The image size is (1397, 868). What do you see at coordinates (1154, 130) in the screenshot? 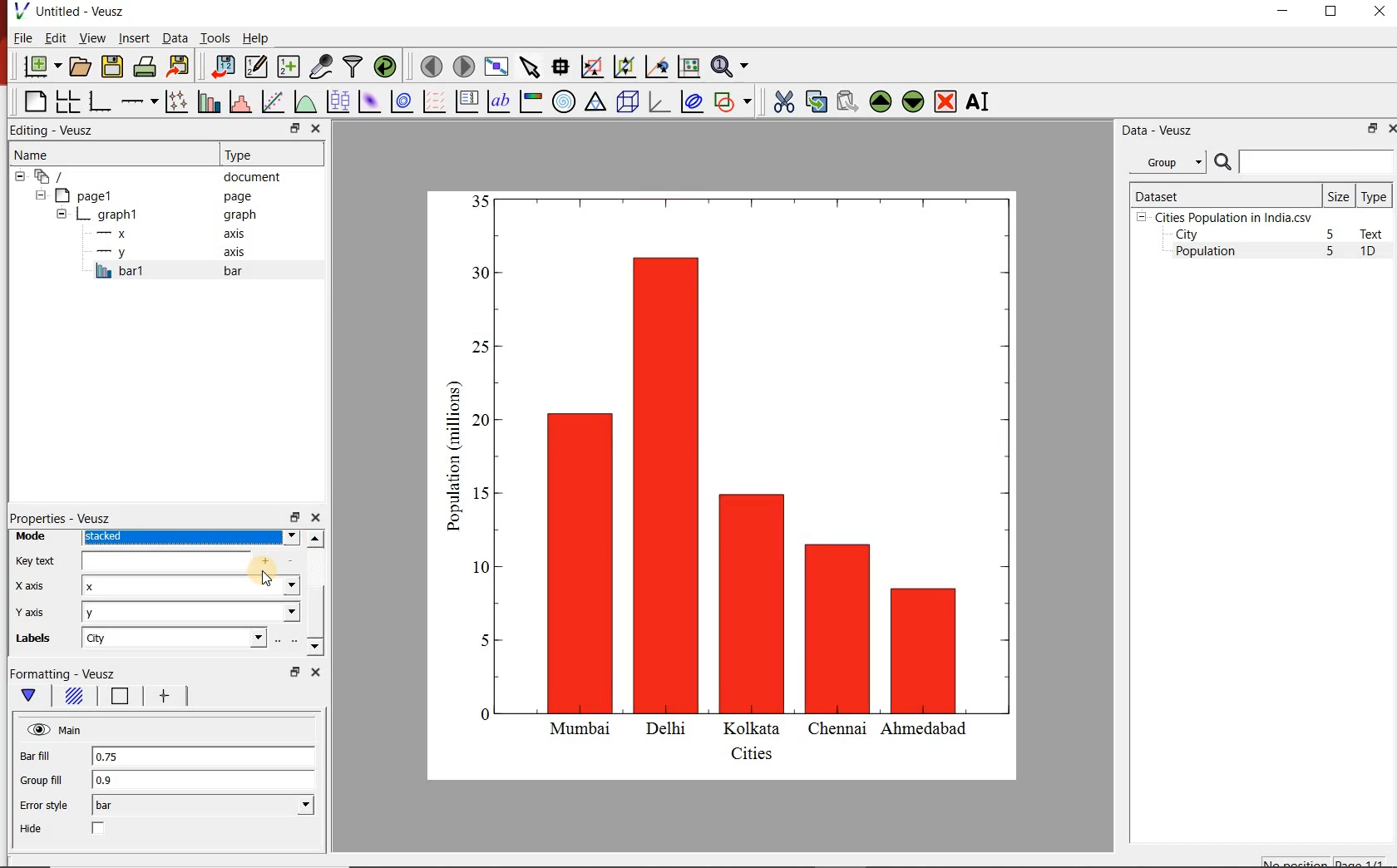
I see `Data - Veusz` at bounding box center [1154, 130].